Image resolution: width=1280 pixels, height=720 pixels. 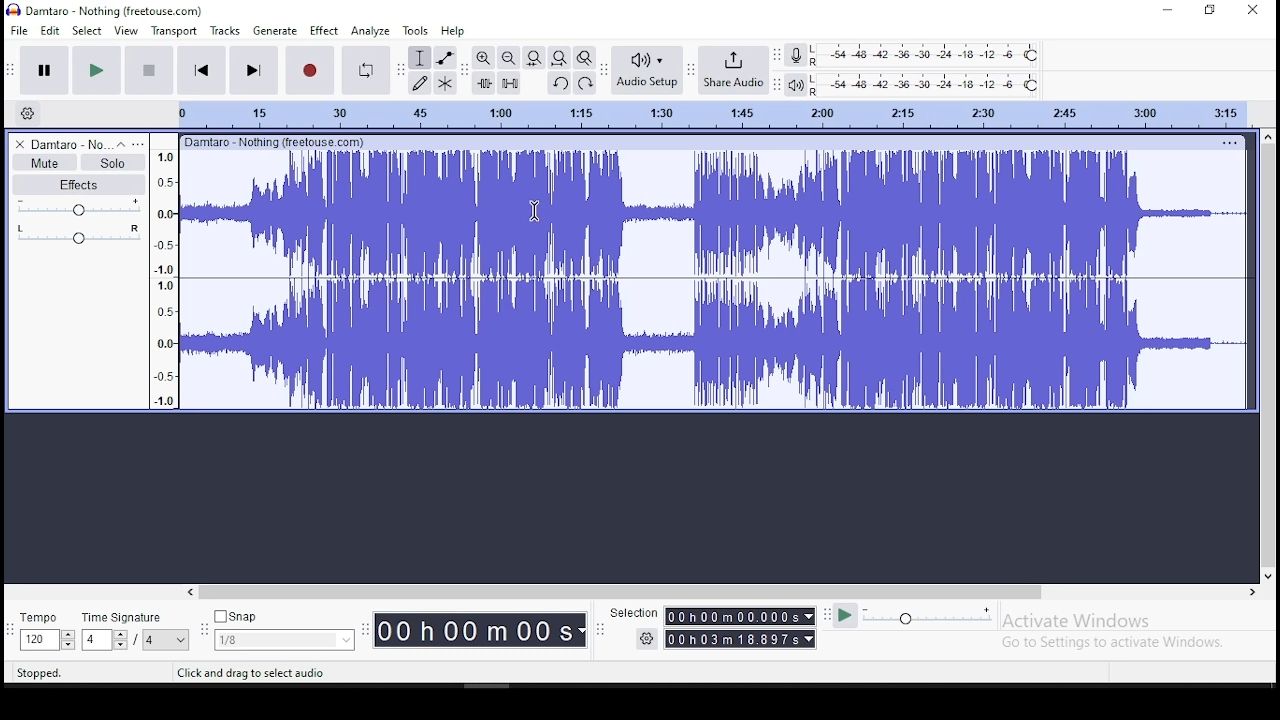 I want to click on record meter, so click(x=796, y=54).